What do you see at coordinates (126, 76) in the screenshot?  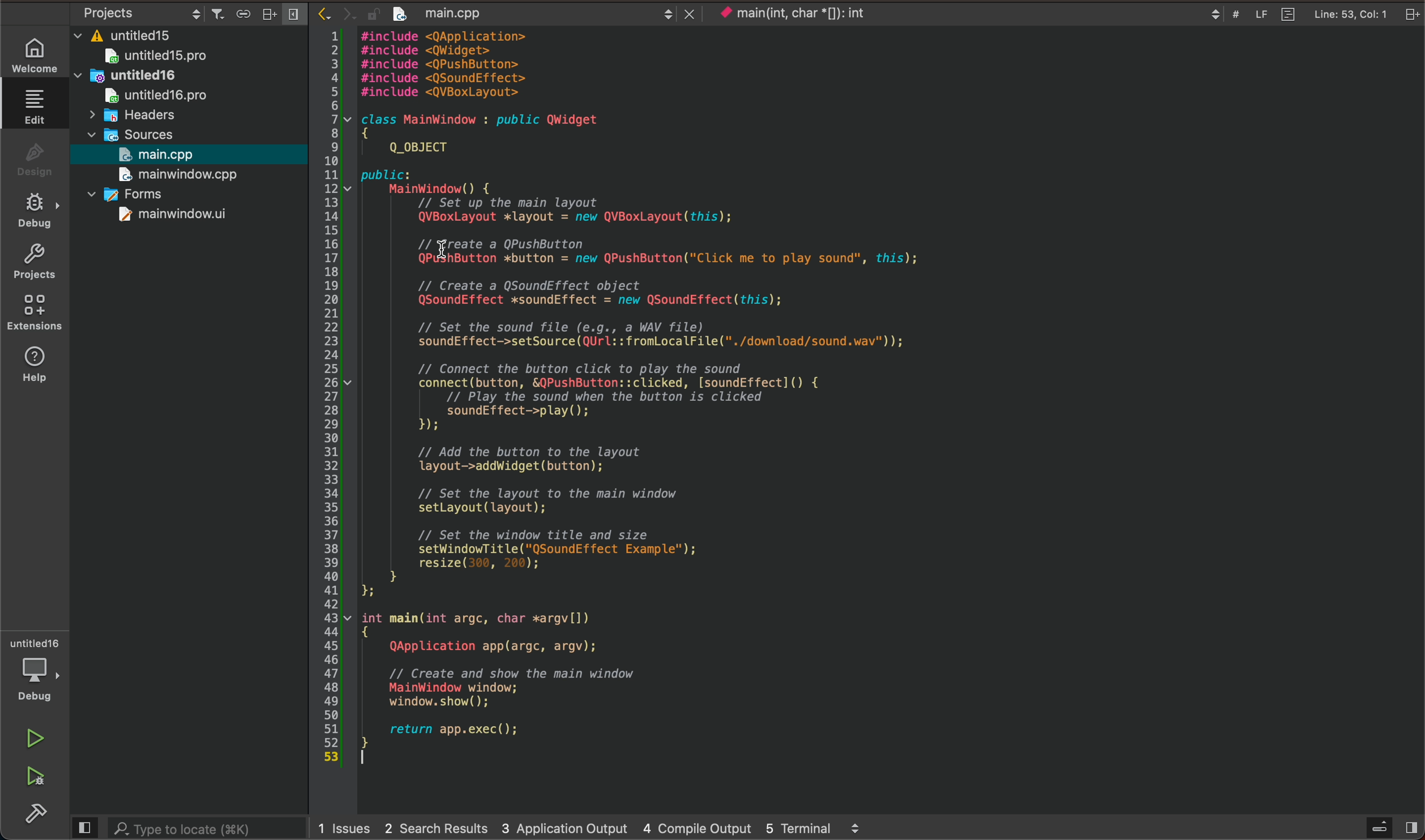 I see `untitled16` at bounding box center [126, 76].